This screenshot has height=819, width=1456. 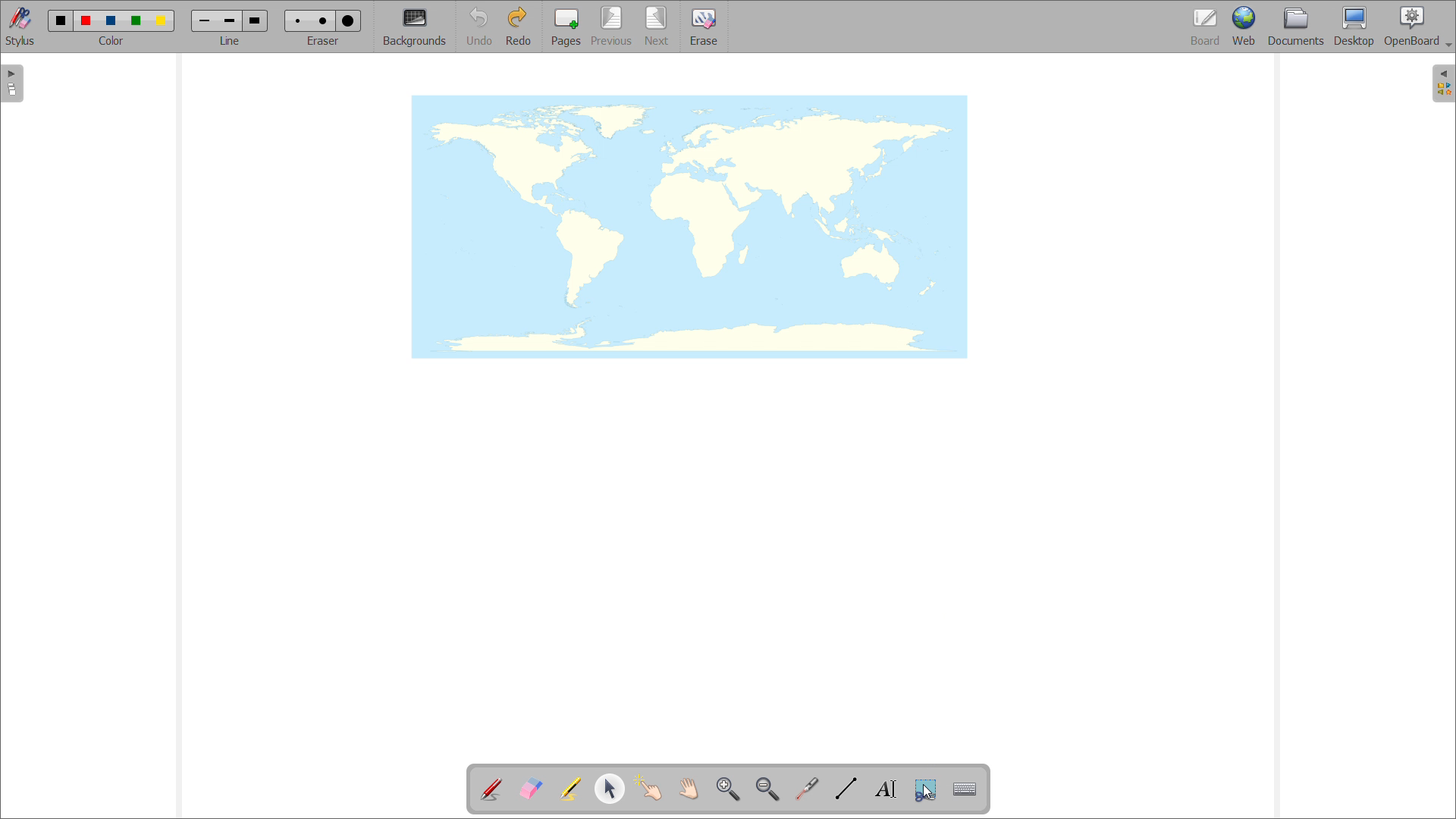 I want to click on previous page, so click(x=611, y=26).